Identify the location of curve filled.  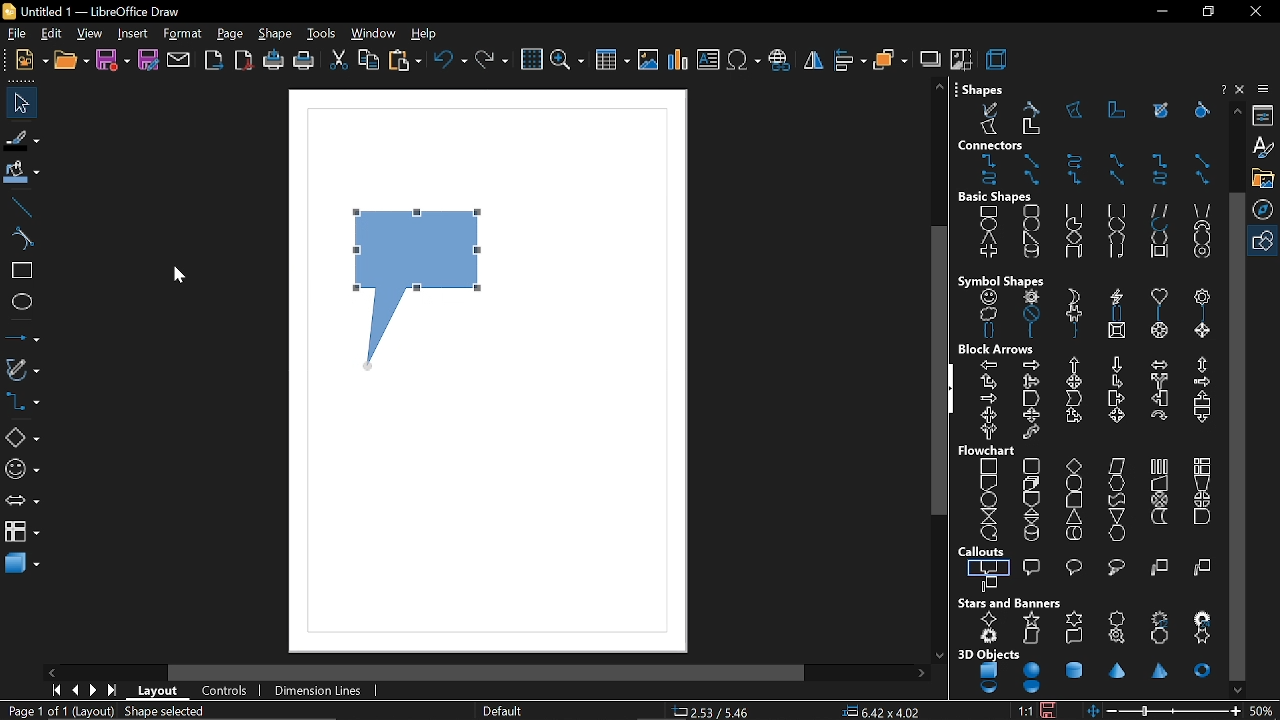
(1198, 111).